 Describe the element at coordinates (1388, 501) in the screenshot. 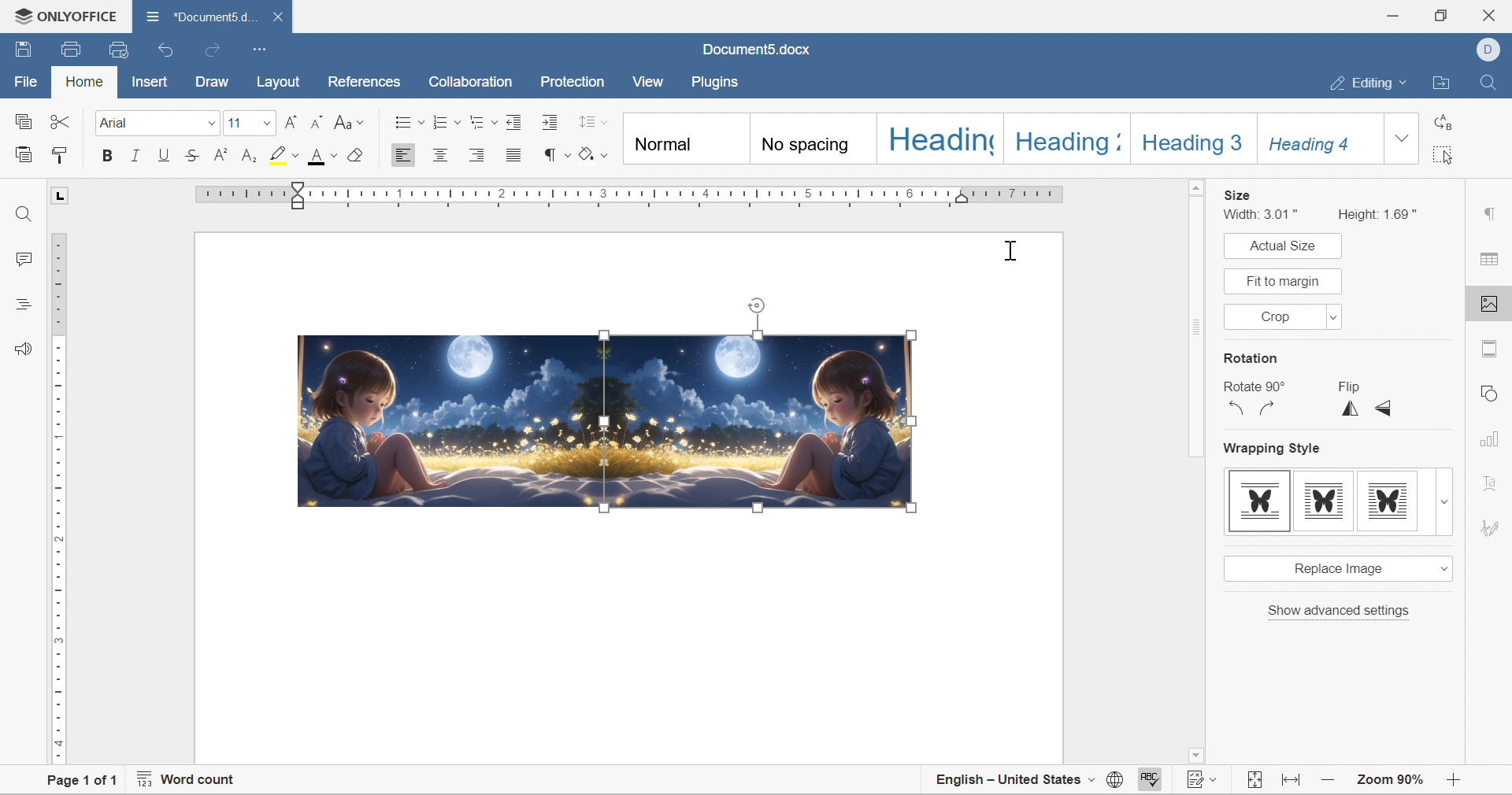

I see `tight` at that location.